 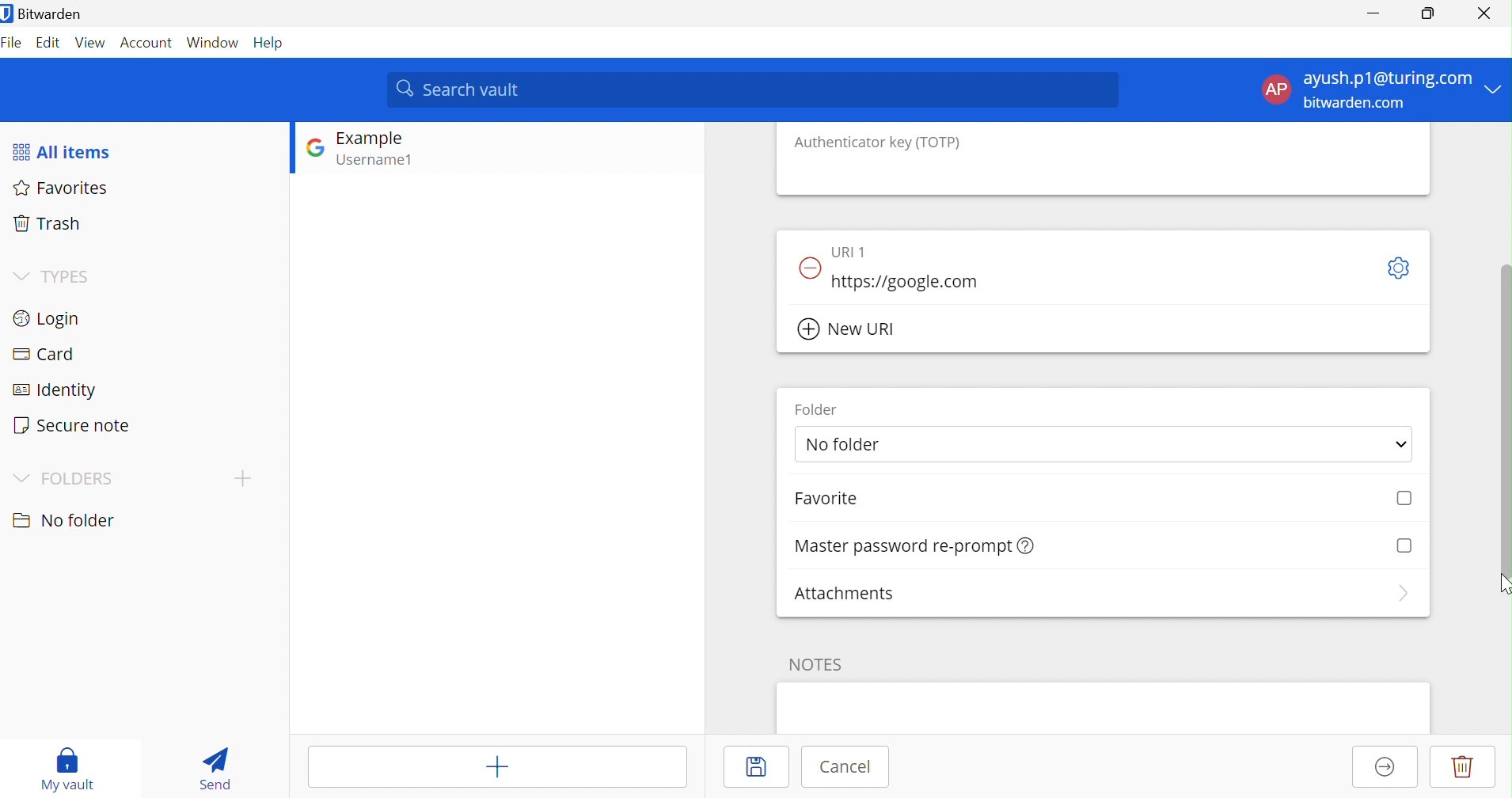 I want to click on Card, so click(x=44, y=352).